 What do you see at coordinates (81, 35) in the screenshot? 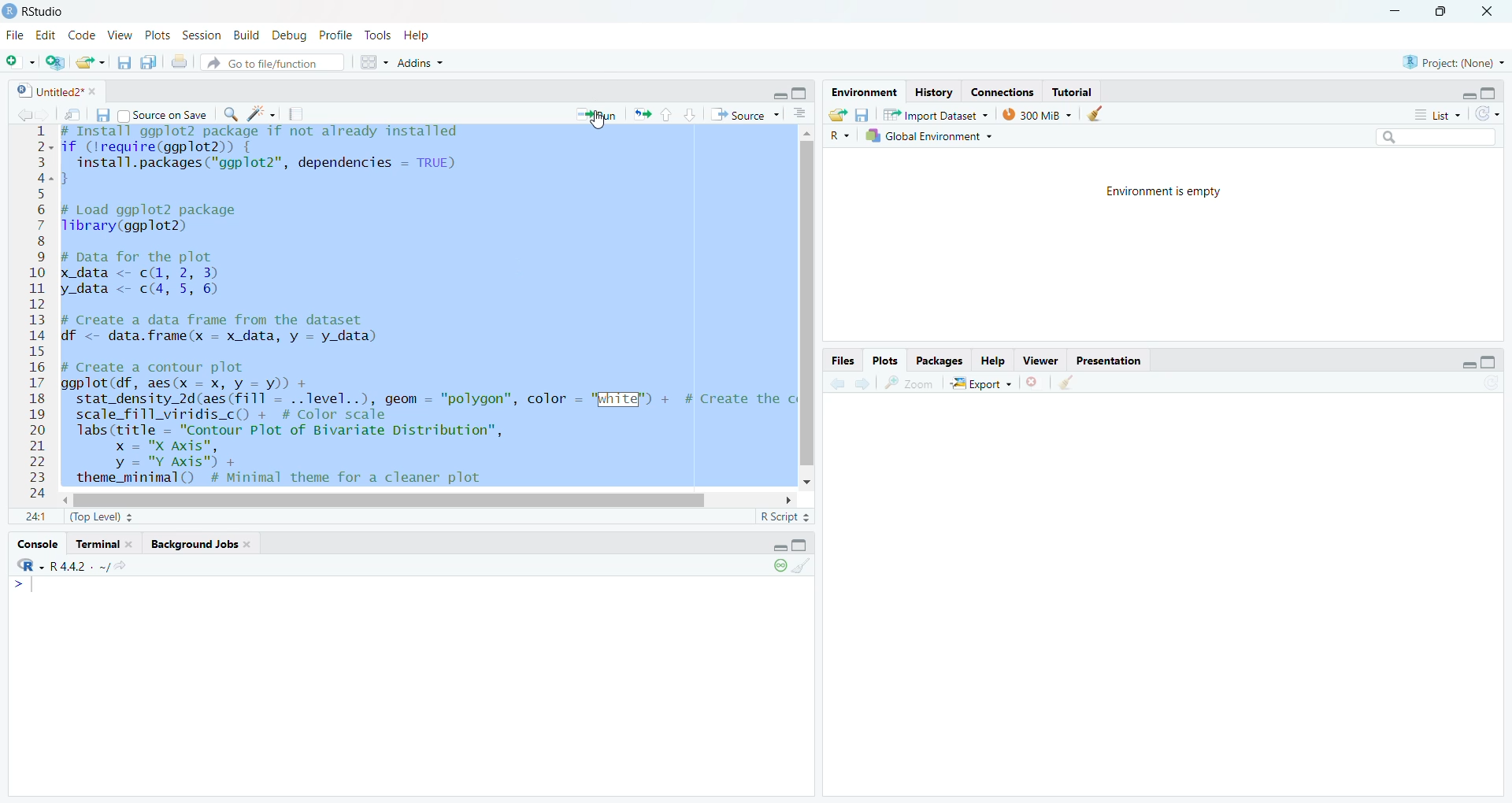
I see `Code` at bounding box center [81, 35].